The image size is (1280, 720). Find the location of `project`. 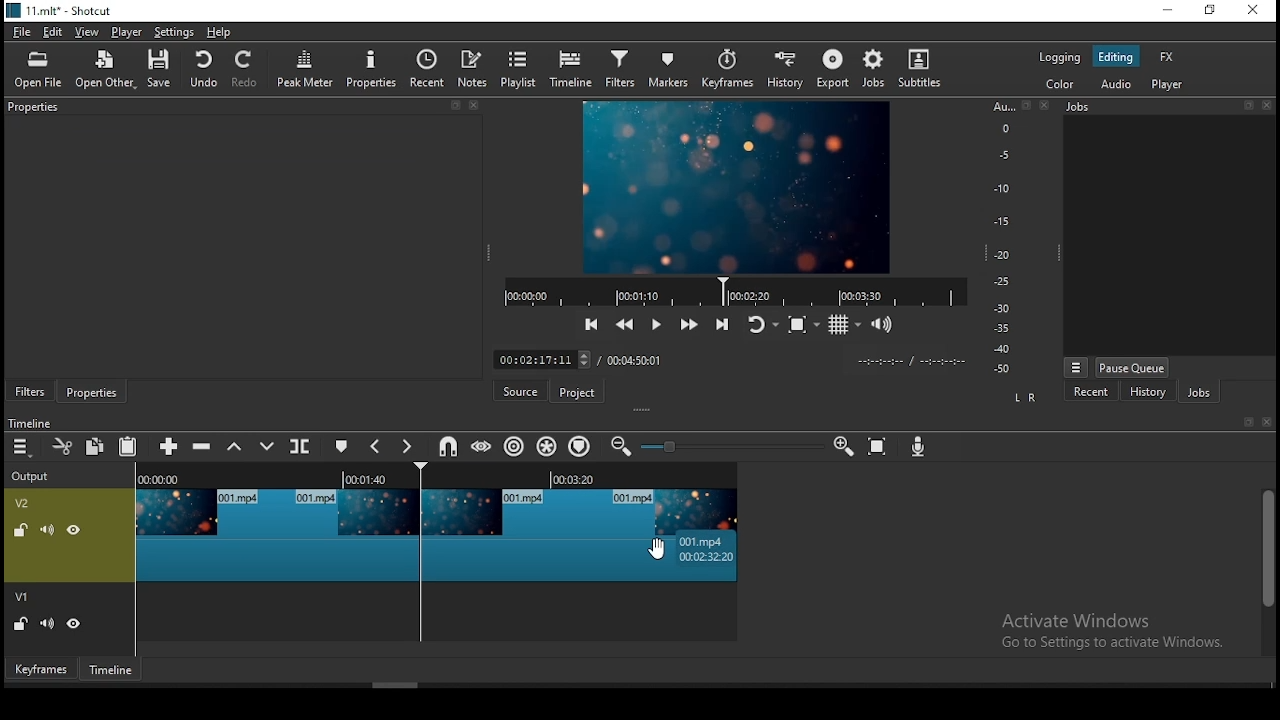

project is located at coordinates (579, 392).